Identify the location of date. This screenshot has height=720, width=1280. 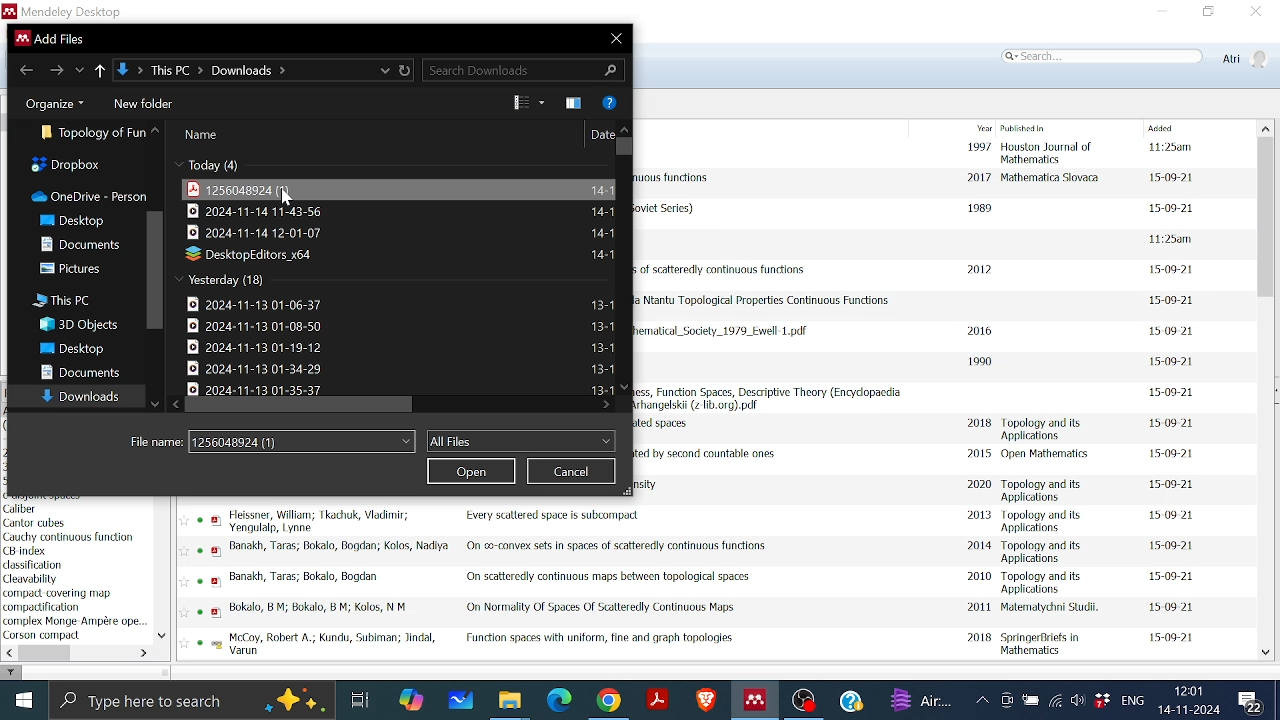
(1170, 485).